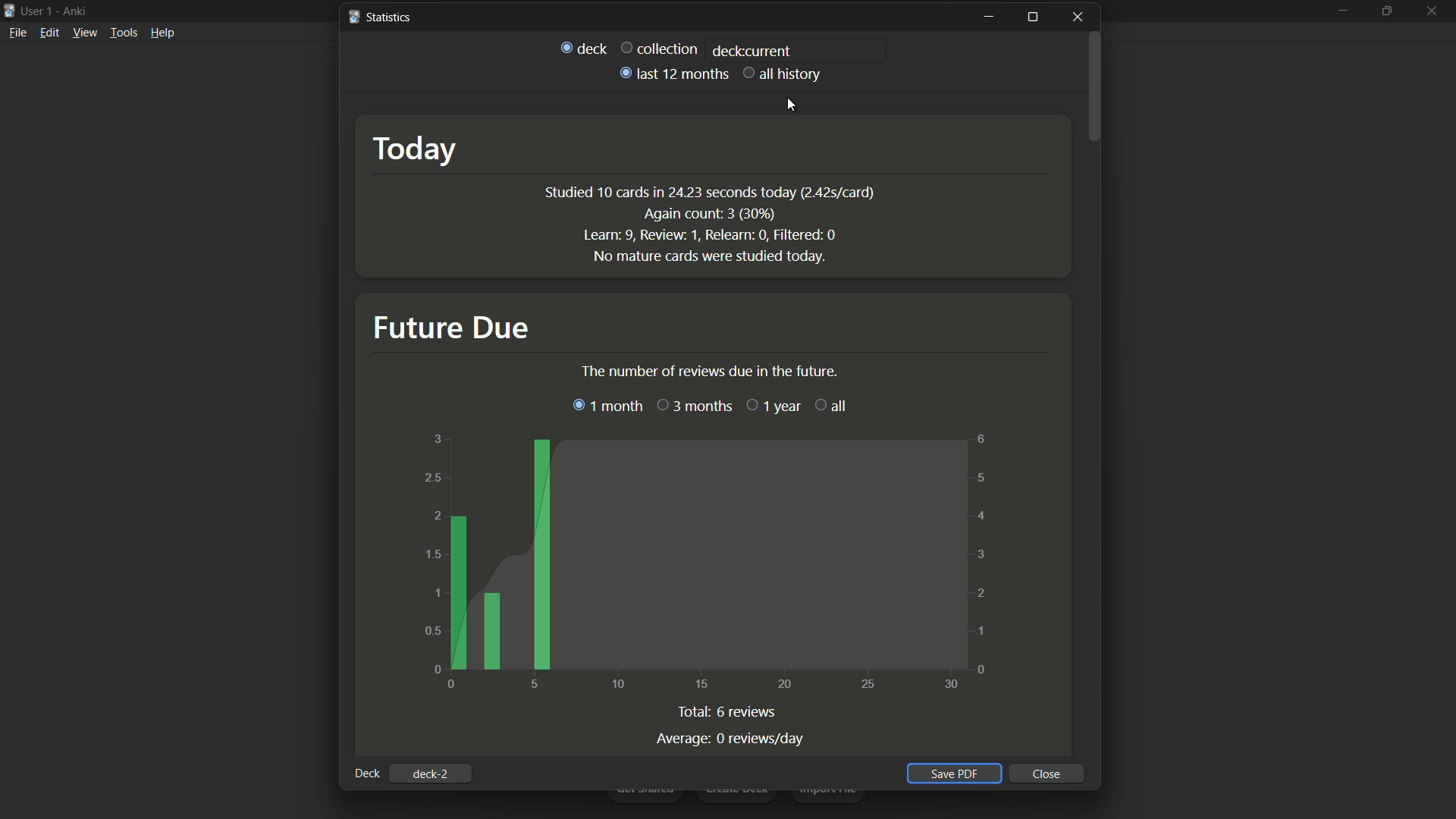  What do you see at coordinates (660, 47) in the screenshot?
I see `Collection deck current` at bounding box center [660, 47].